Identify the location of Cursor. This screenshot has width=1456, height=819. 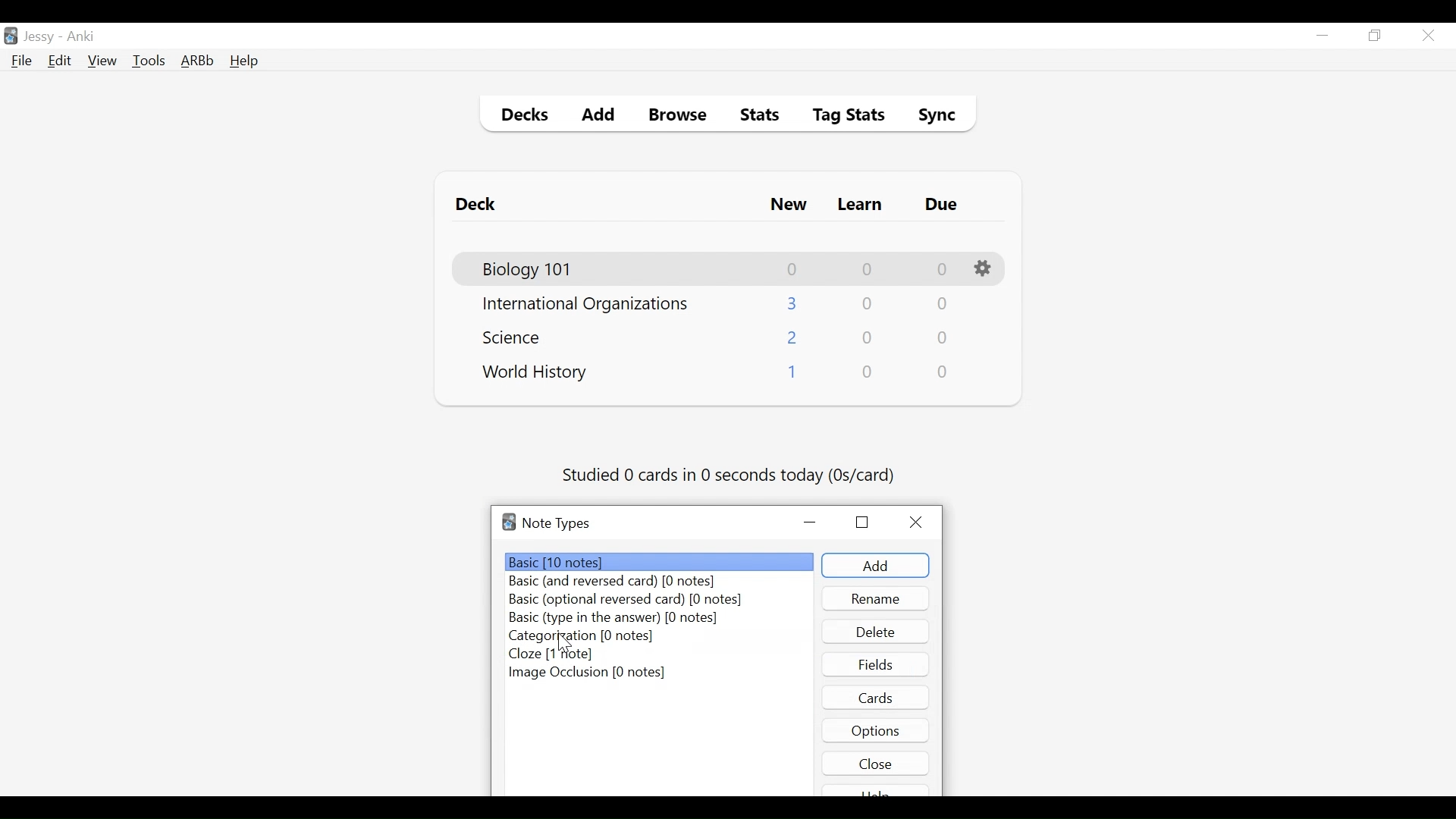
(565, 643).